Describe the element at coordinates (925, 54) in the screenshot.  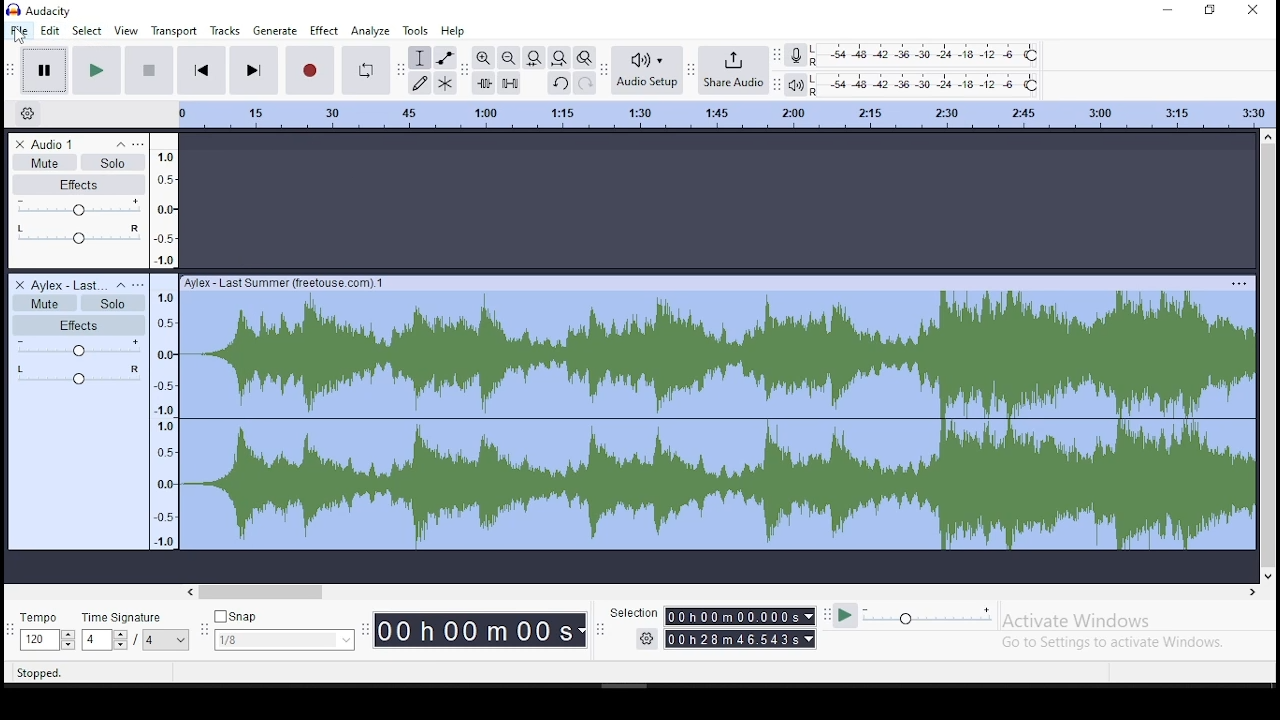
I see `recording level` at that location.